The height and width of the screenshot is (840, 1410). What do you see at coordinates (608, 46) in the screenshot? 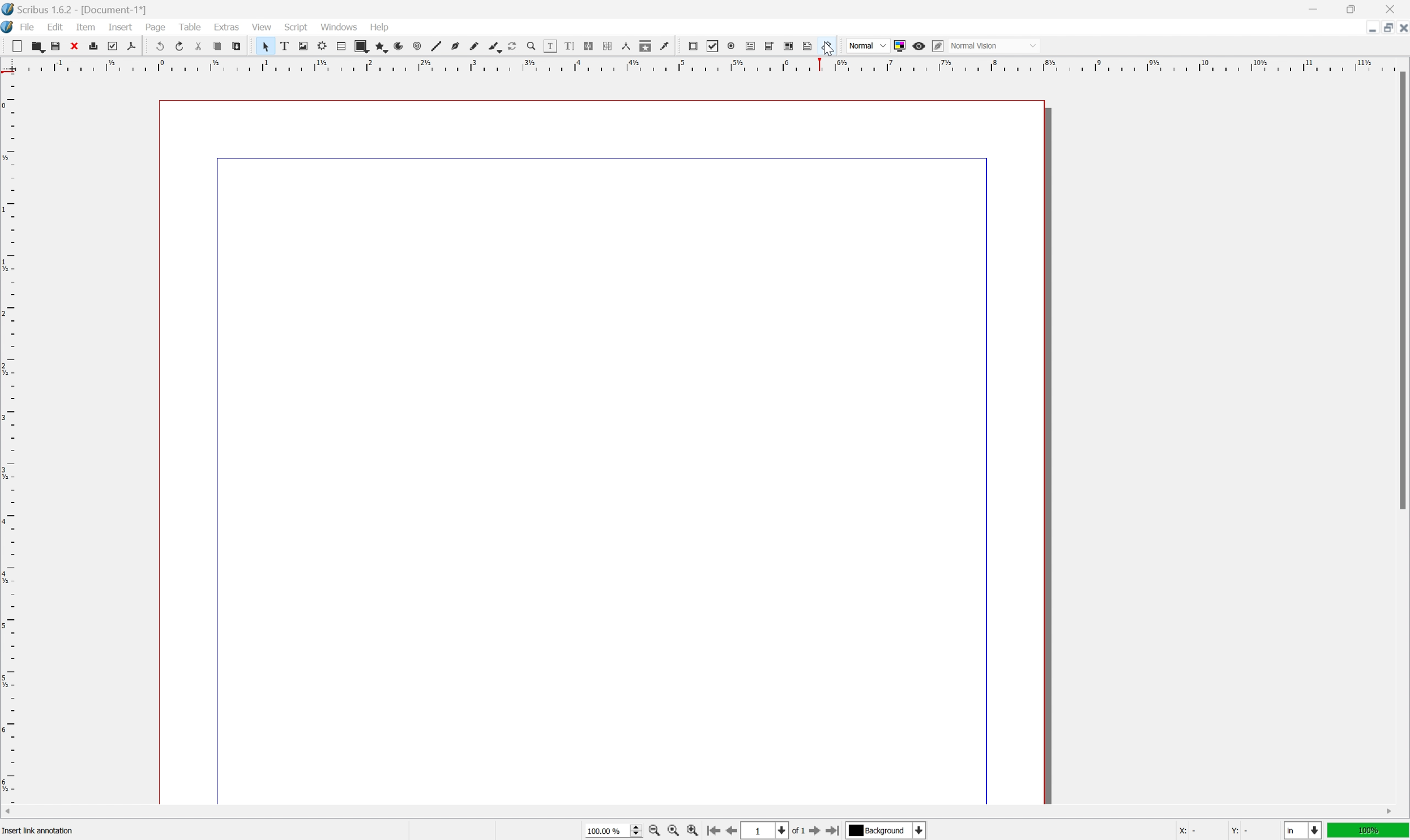
I see `unlink text frames` at bounding box center [608, 46].